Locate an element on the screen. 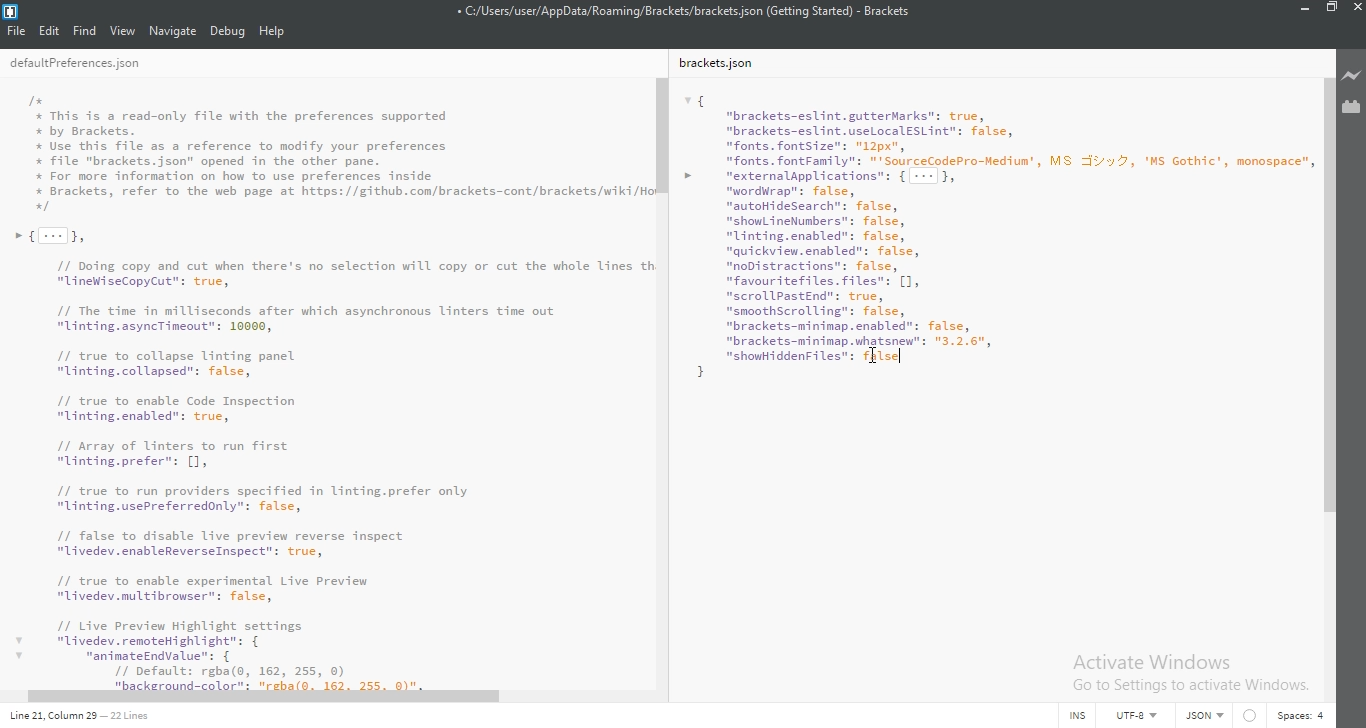  space: 4 is located at coordinates (1304, 716).